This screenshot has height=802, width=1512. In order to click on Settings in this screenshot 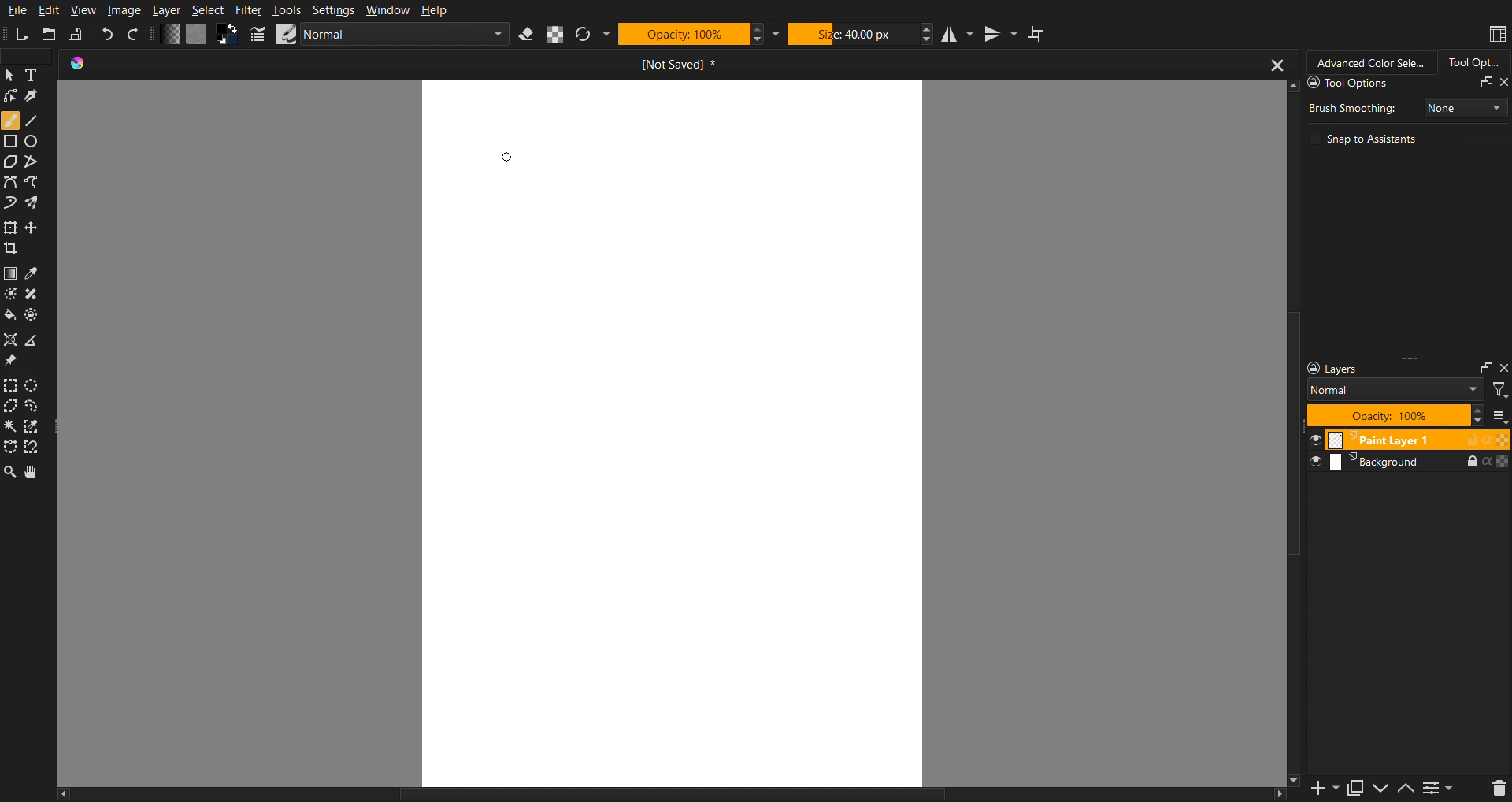, I will do `click(1442, 789)`.